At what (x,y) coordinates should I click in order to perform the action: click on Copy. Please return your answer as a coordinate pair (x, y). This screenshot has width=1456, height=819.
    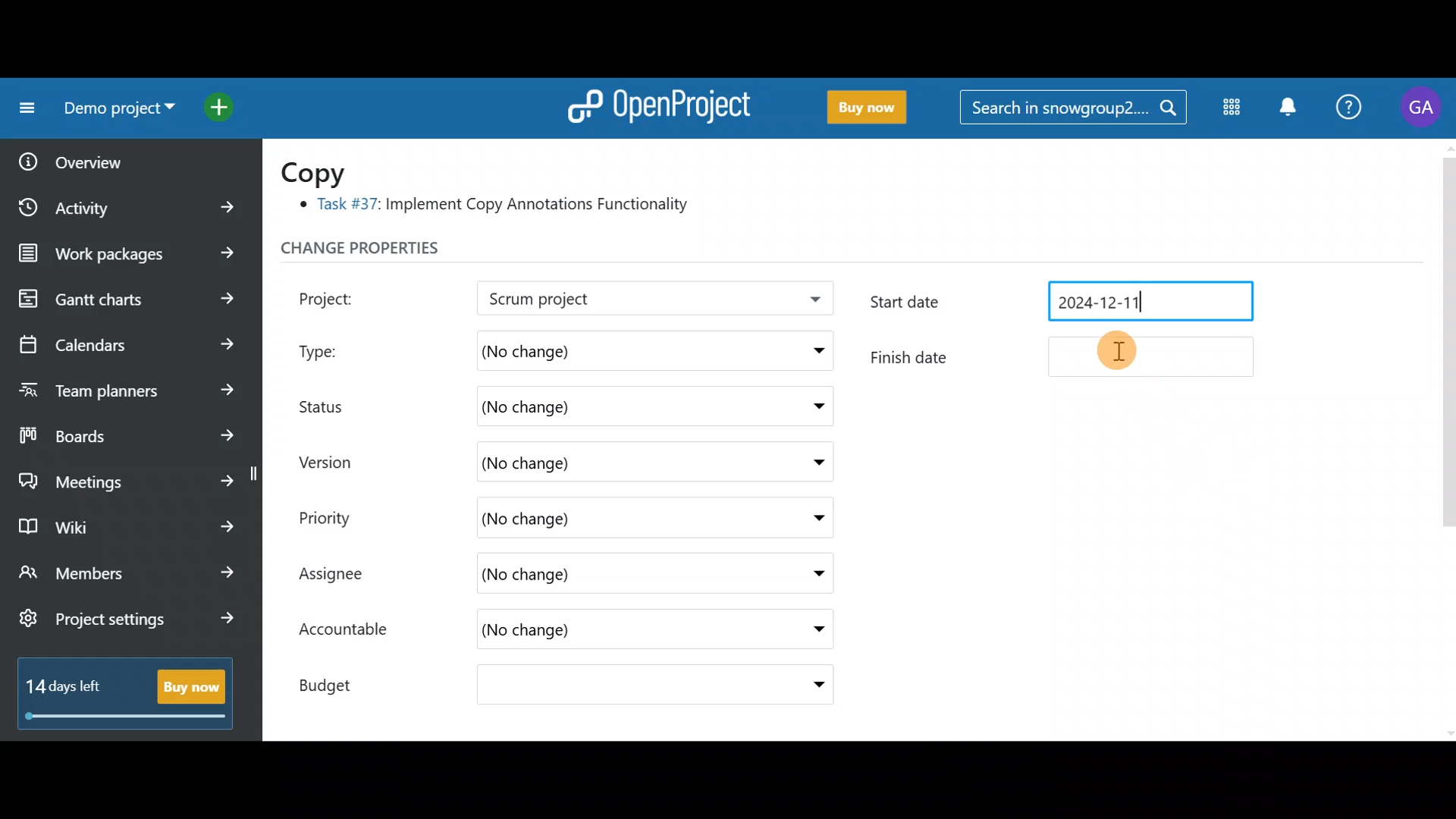
    Looking at the image, I should click on (323, 171).